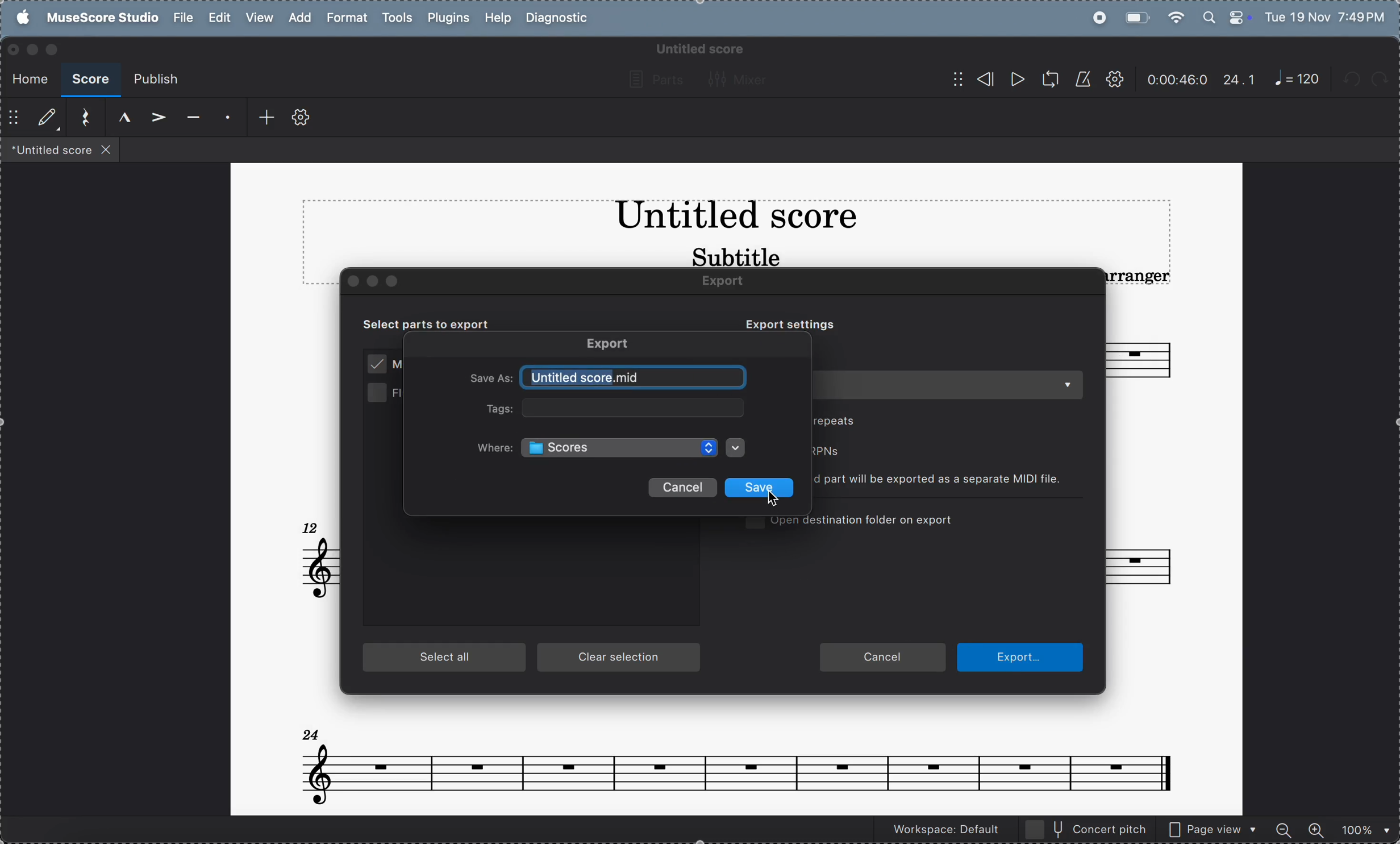 This screenshot has width=1400, height=844. Describe the element at coordinates (1135, 16) in the screenshot. I see `battery` at that location.